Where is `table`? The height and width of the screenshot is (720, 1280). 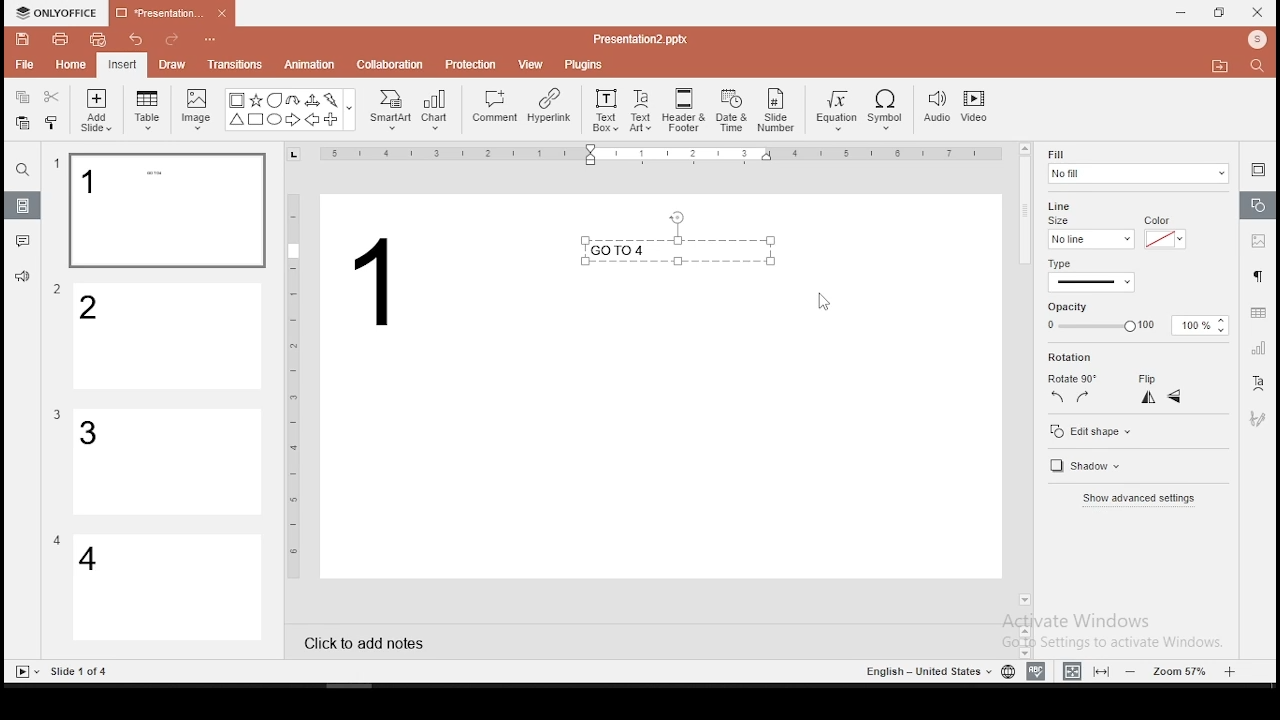
table is located at coordinates (148, 110).